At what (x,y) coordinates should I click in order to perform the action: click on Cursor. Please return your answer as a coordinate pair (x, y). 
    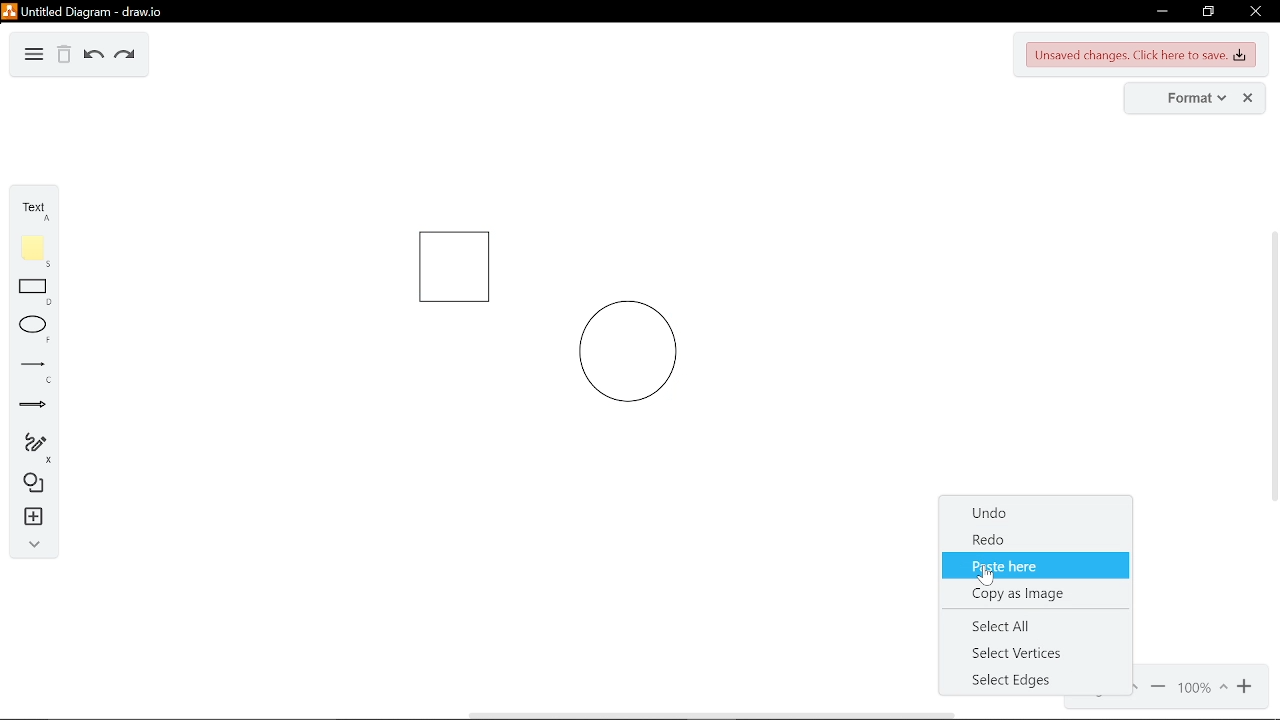
    Looking at the image, I should click on (988, 576).